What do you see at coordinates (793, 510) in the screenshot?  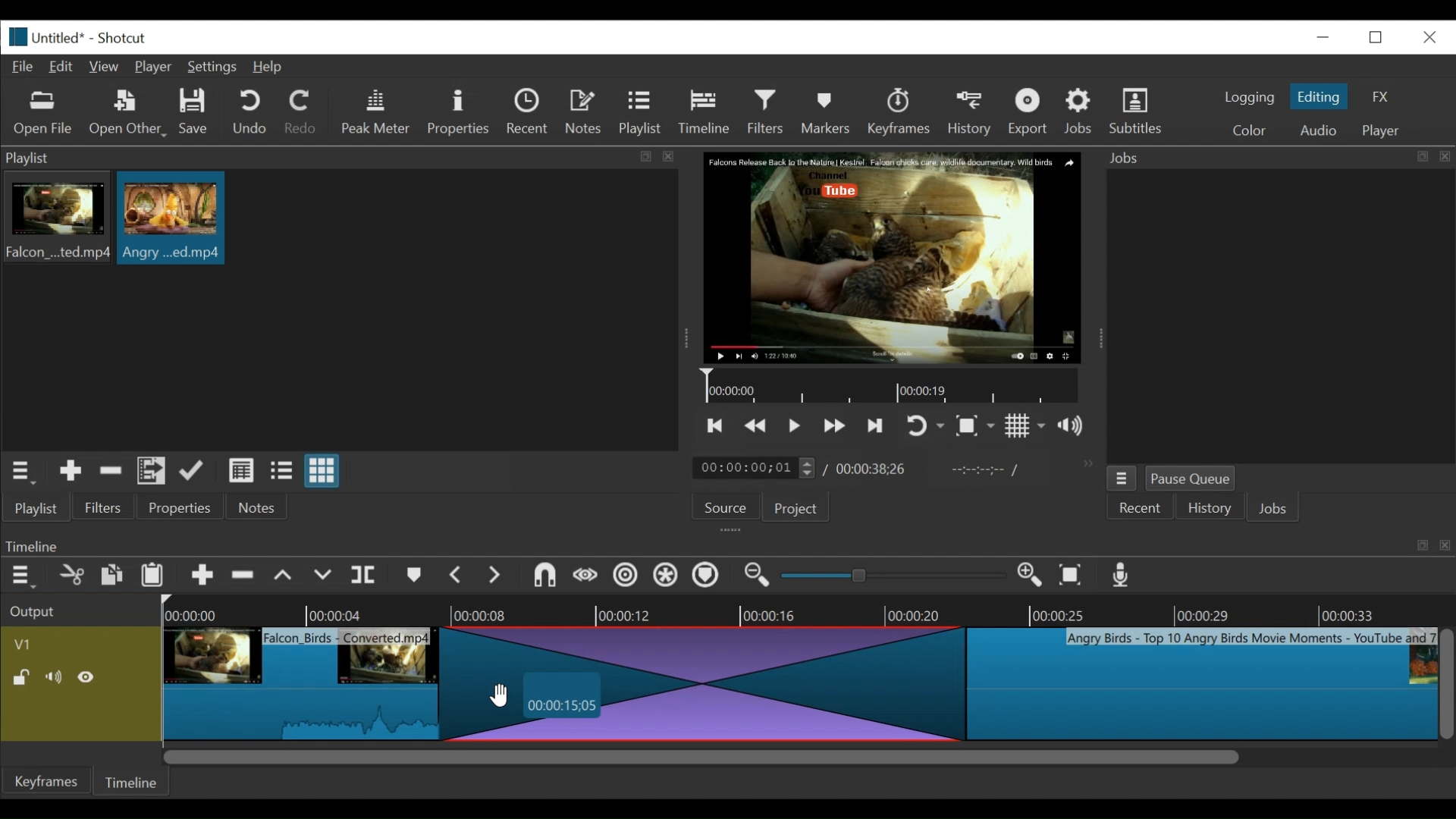 I see `Project` at bounding box center [793, 510].